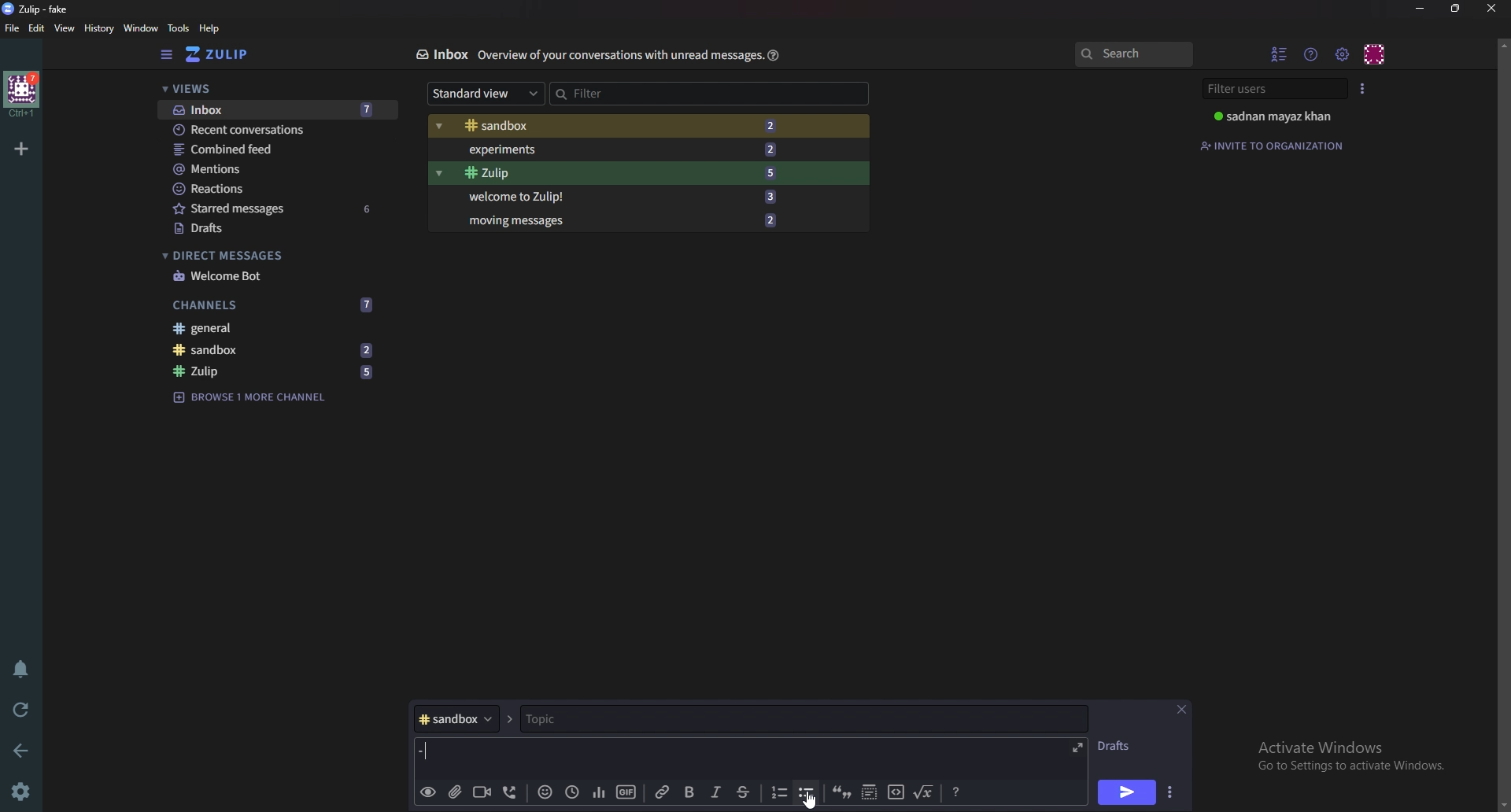 This screenshot has width=1511, height=812. What do you see at coordinates (481, 791) in the screenshot?
I see `Video call` at bounding box center [481, 791].